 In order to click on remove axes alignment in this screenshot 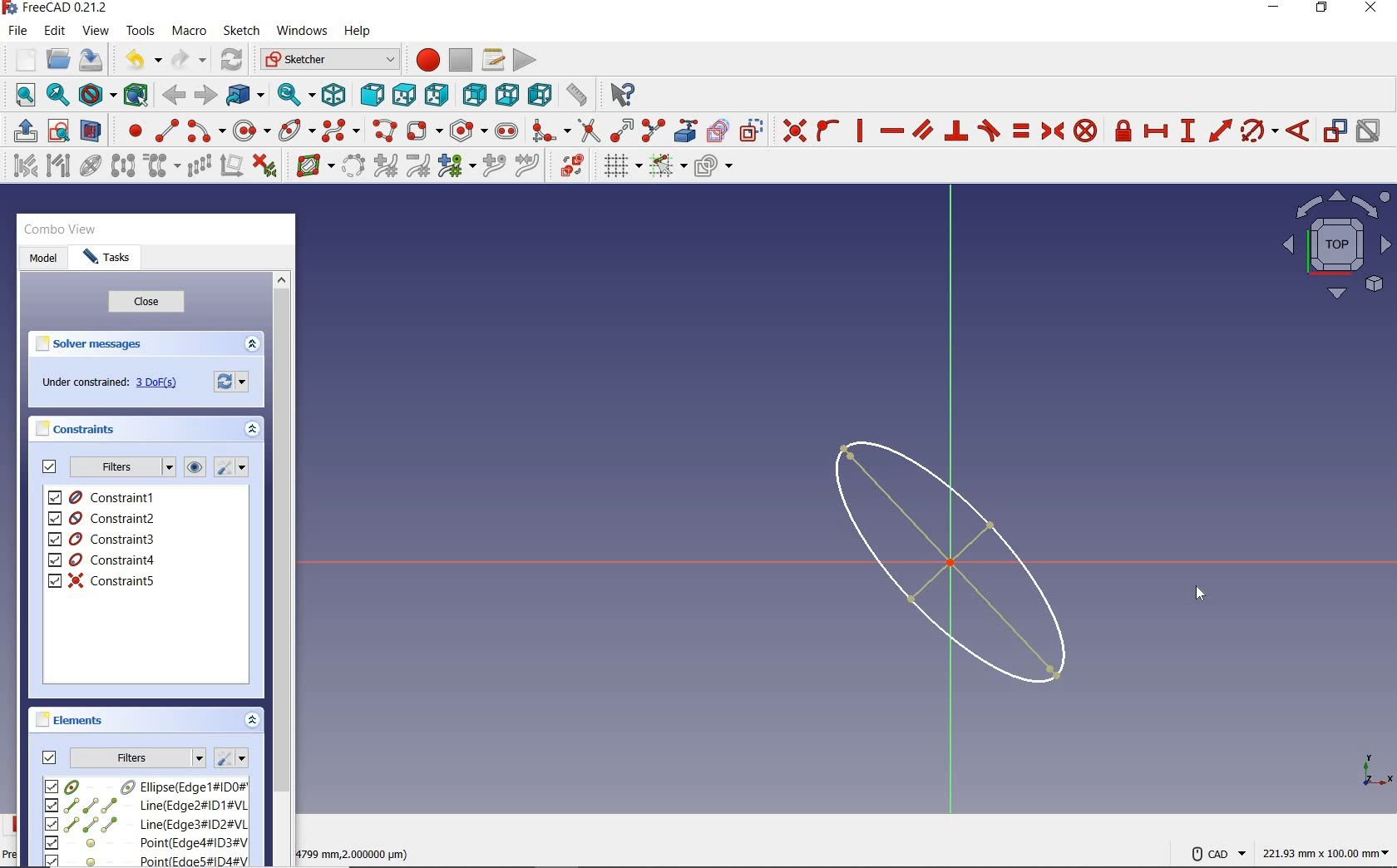, I will do `click(230, 167)`.